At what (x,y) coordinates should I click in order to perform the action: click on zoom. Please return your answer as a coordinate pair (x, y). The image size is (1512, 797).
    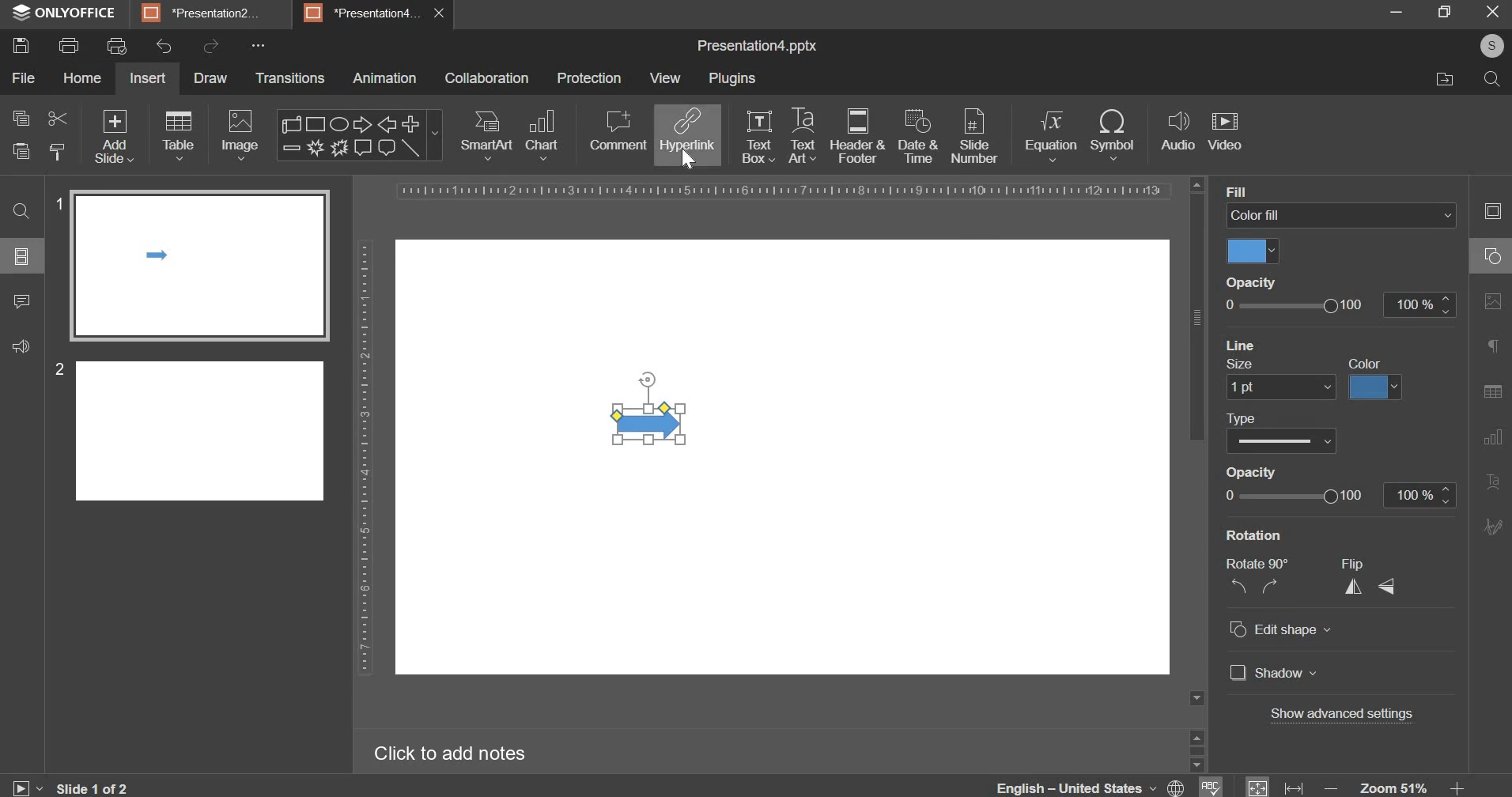
    Looking at the image, I should click on (1397, 784).